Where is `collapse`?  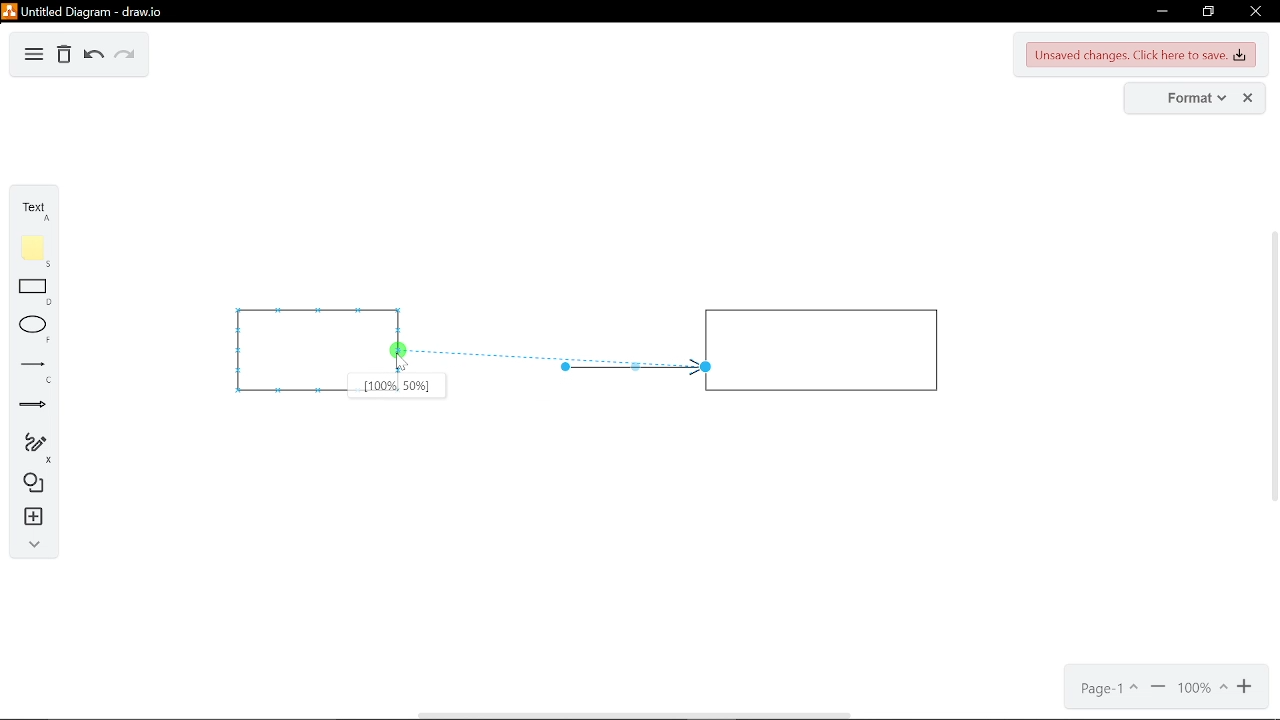 collapse is located at coordinates (33, 544).